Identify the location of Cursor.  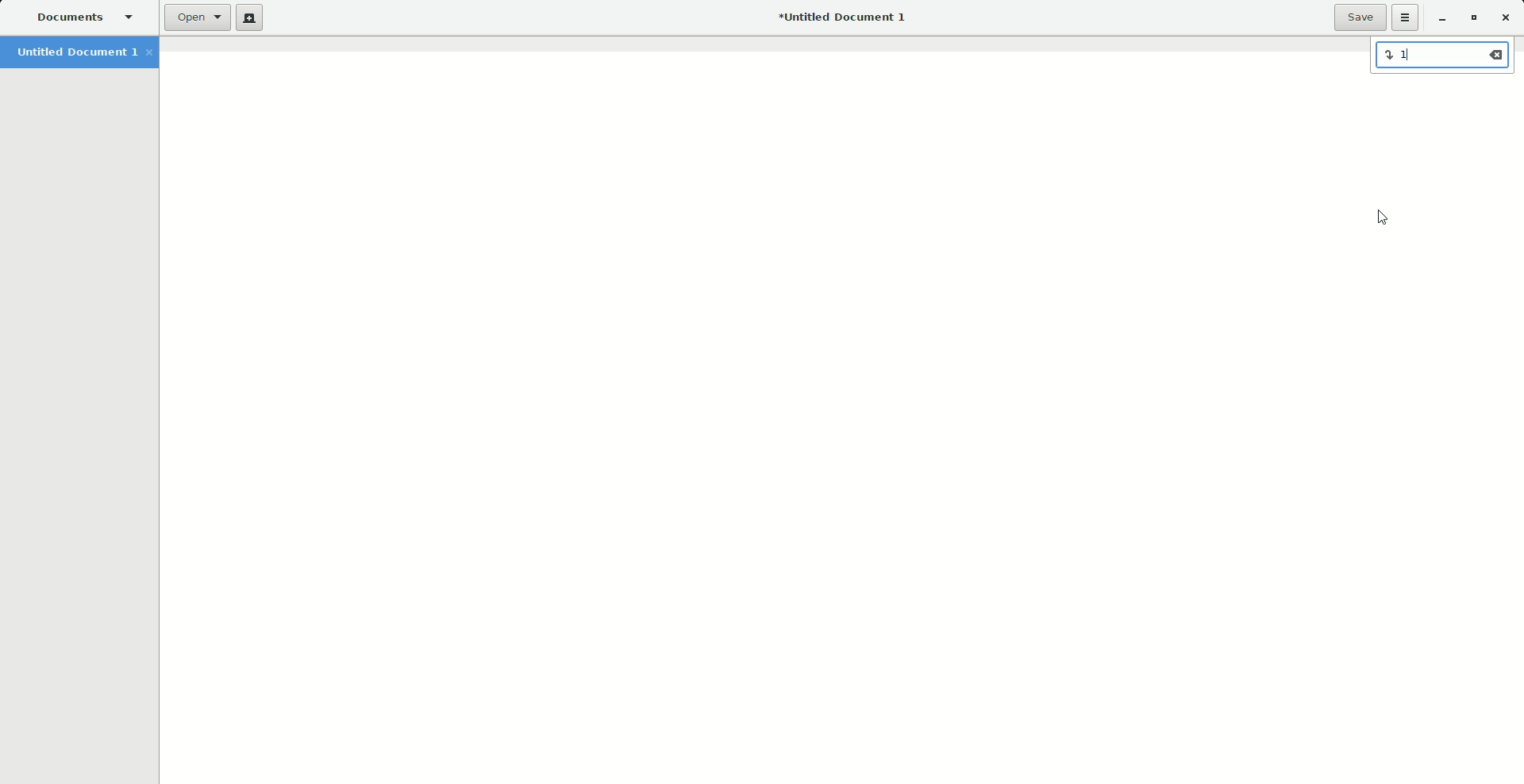
(1387, 219).